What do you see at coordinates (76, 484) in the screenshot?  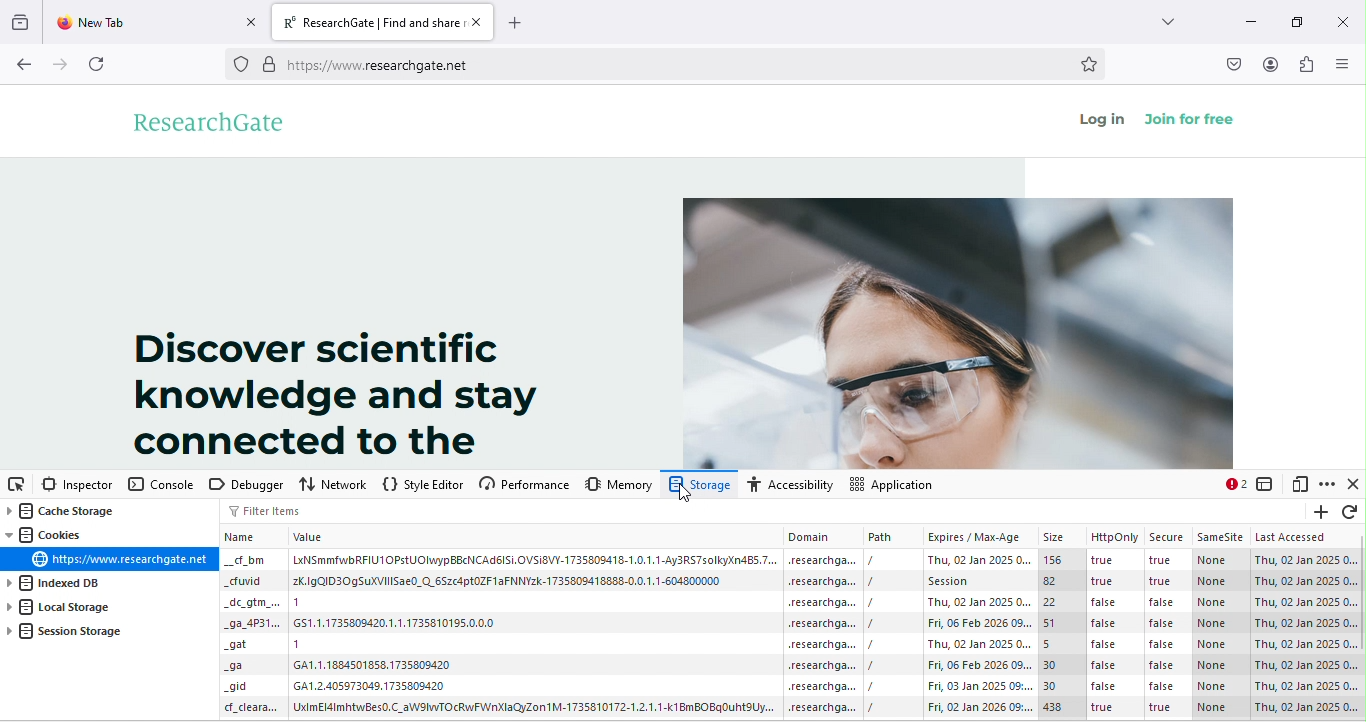 I see `inspector` at bounding box center [76, 484].